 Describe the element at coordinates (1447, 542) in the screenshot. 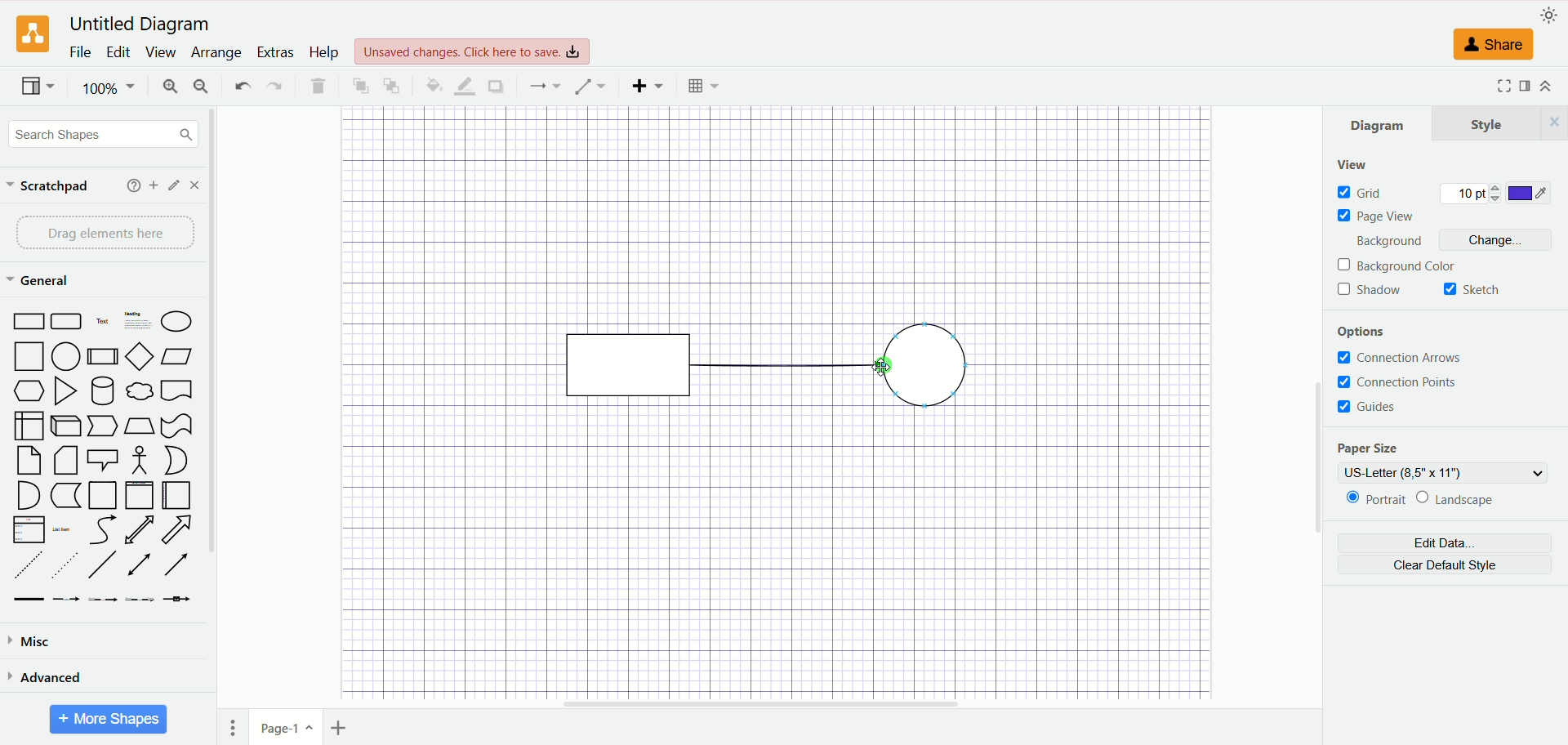

I see `edit data` at that location.